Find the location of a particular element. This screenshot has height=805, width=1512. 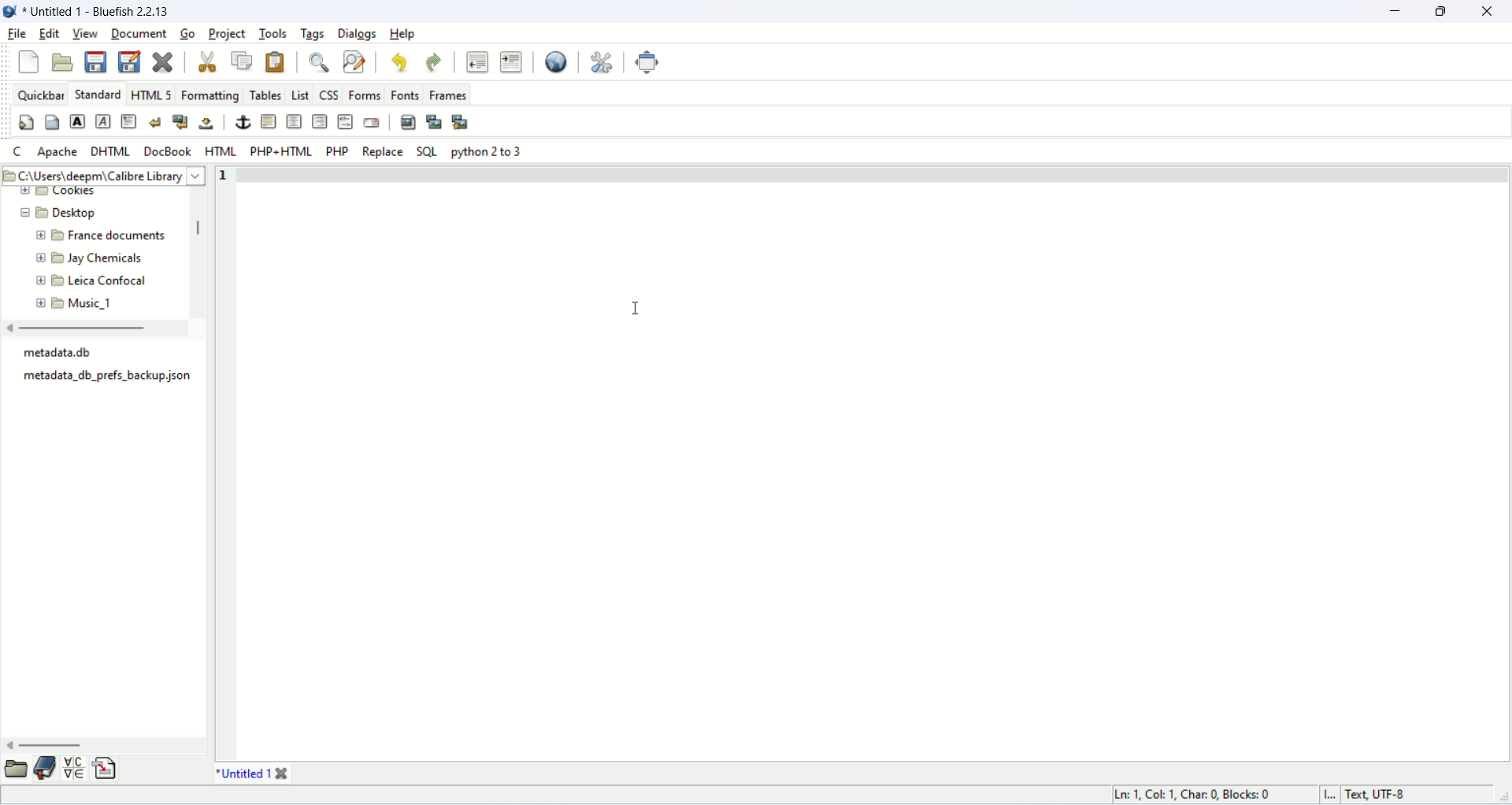

scroll bar is located at coordinates (98, 747).